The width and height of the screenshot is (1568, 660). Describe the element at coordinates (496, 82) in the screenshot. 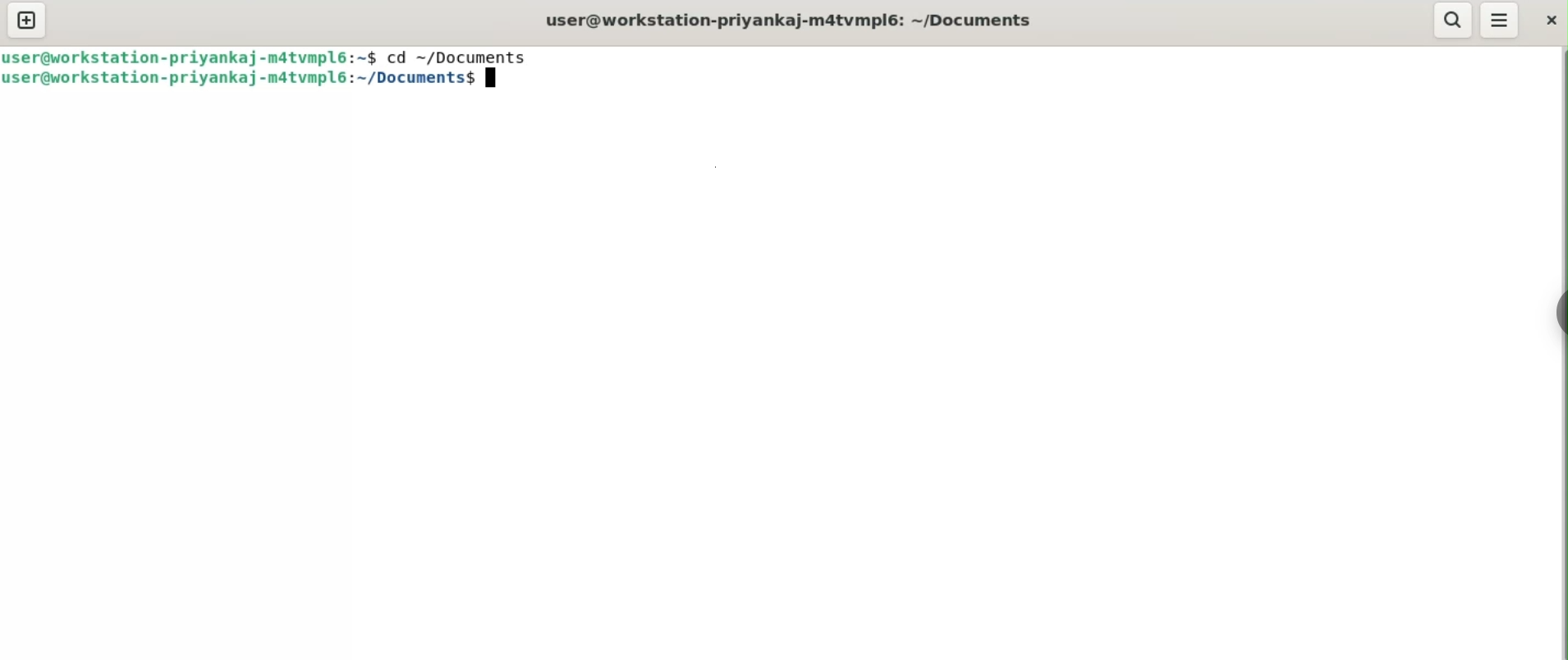

I see `cursor` at that location.